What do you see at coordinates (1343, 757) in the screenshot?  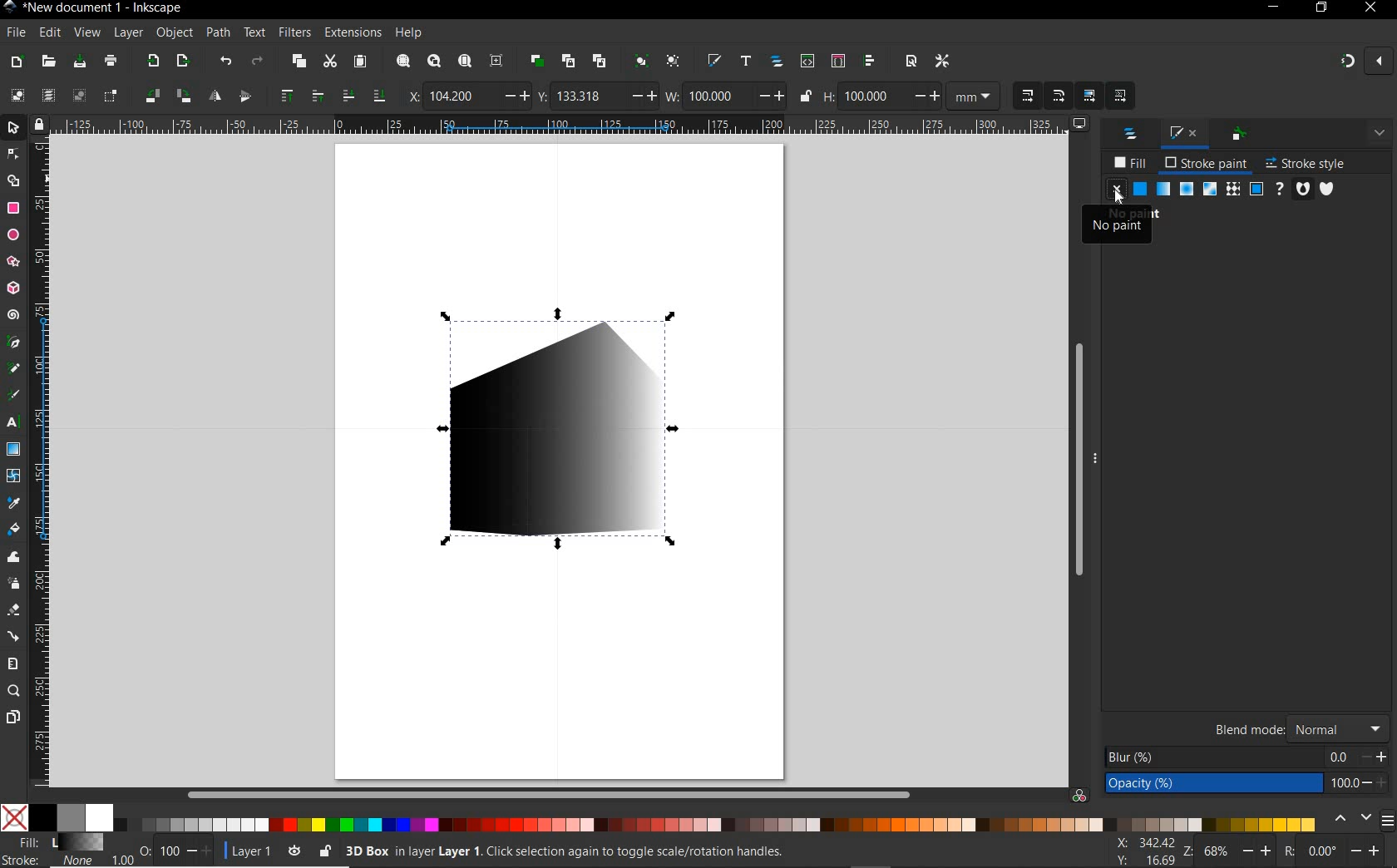 I see `` at bounding box center [1343, 757].